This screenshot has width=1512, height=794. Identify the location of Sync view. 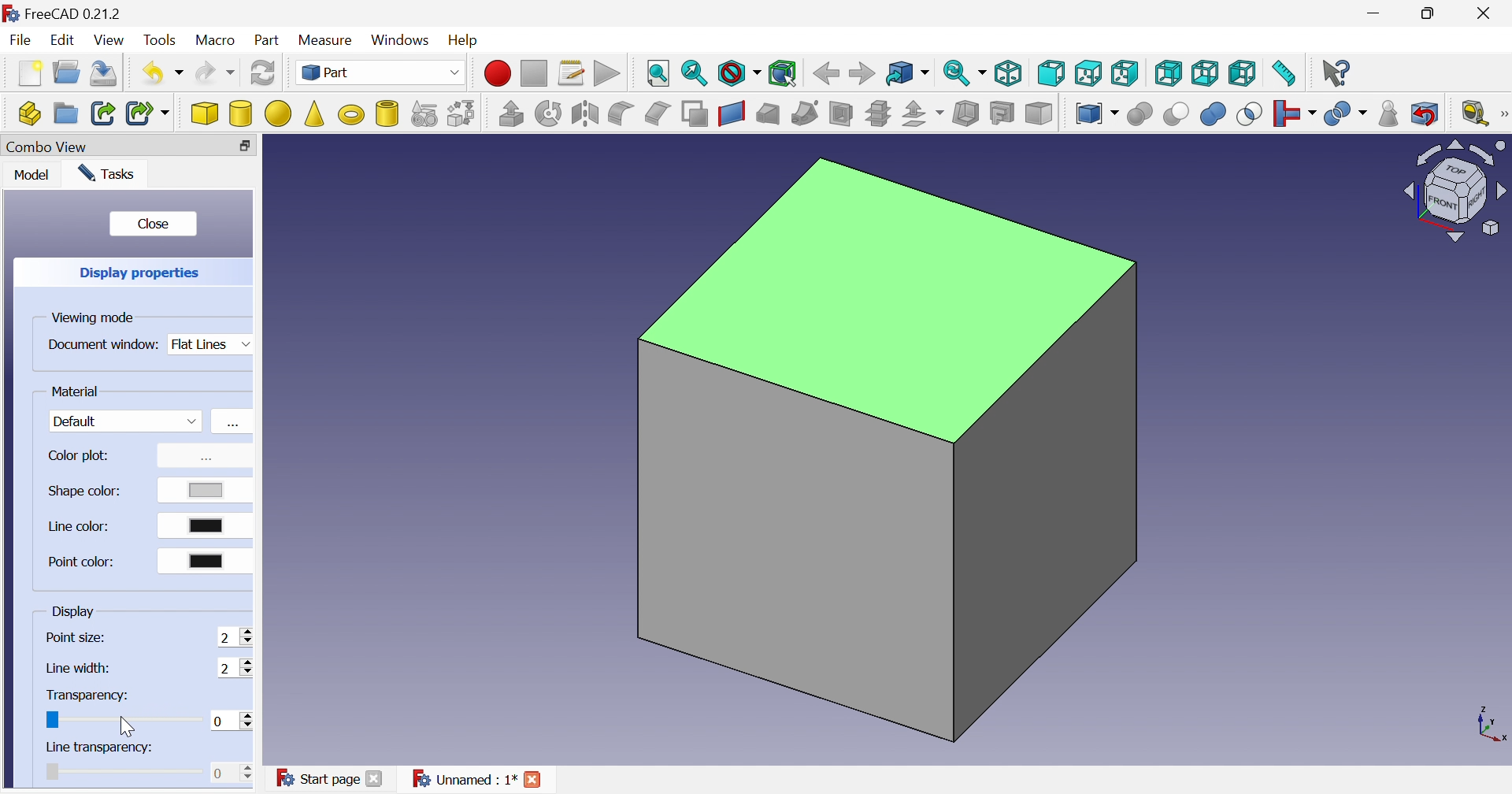
(963, 72).